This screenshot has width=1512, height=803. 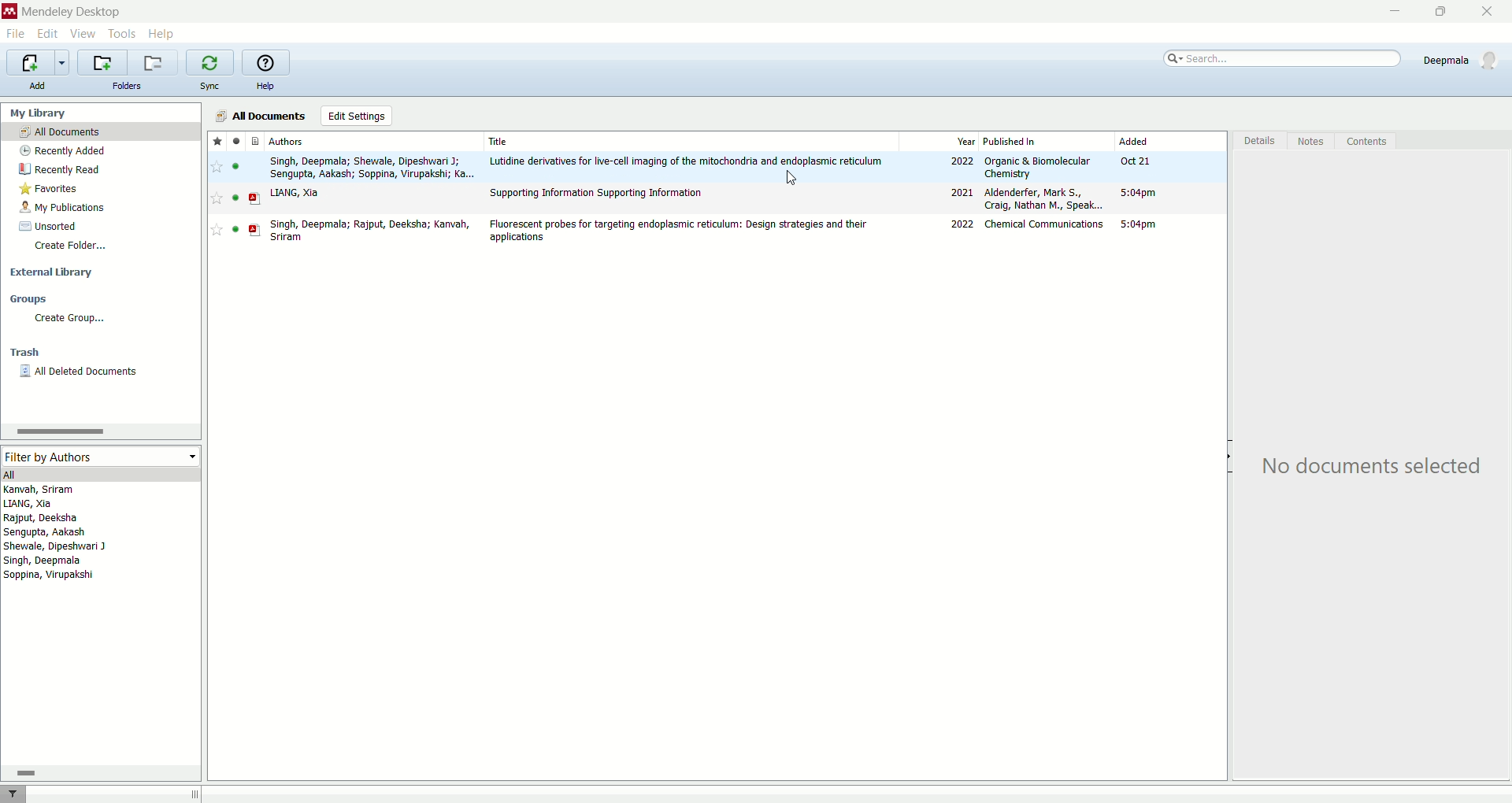 What do you see at coordinates (235, 140) in the screenshot?
I see `read/unread` at bounding box center [235, 140].